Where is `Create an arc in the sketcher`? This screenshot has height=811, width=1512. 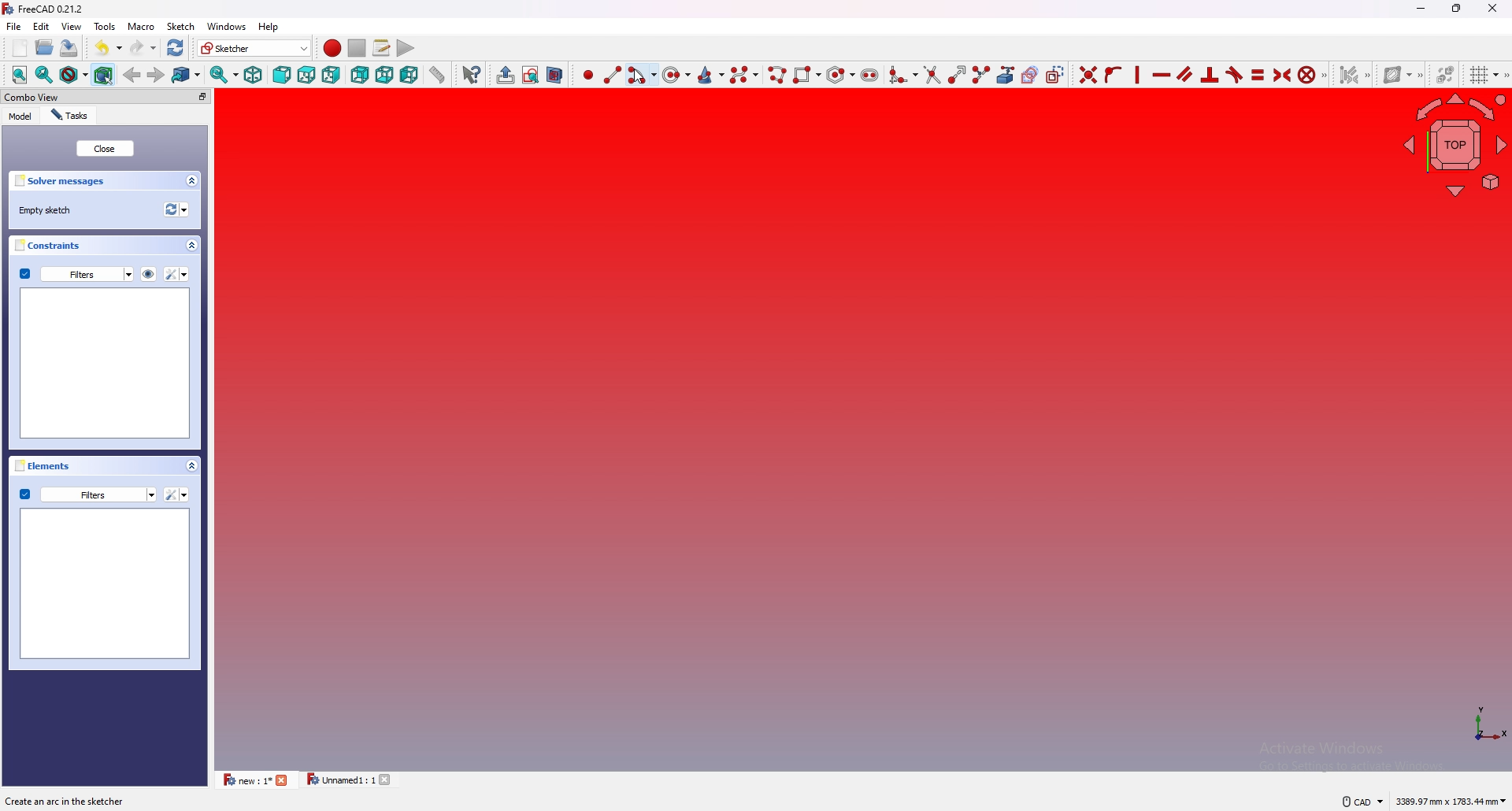
Create an arc in the sketcher is located at coordinates (70, 802).